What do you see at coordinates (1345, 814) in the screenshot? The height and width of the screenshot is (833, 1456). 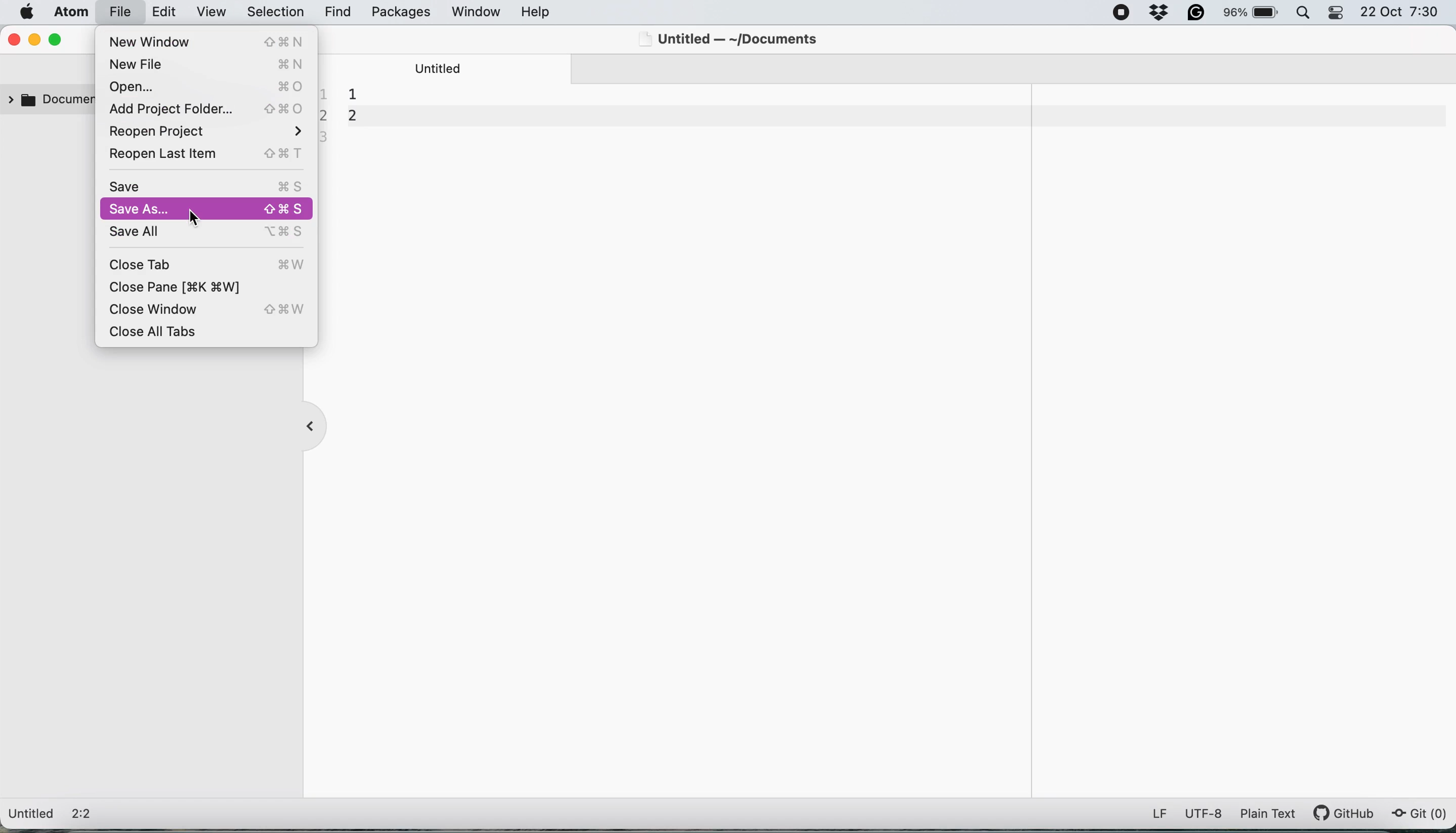 I see `git hub` at bounding box center [1345, 814].